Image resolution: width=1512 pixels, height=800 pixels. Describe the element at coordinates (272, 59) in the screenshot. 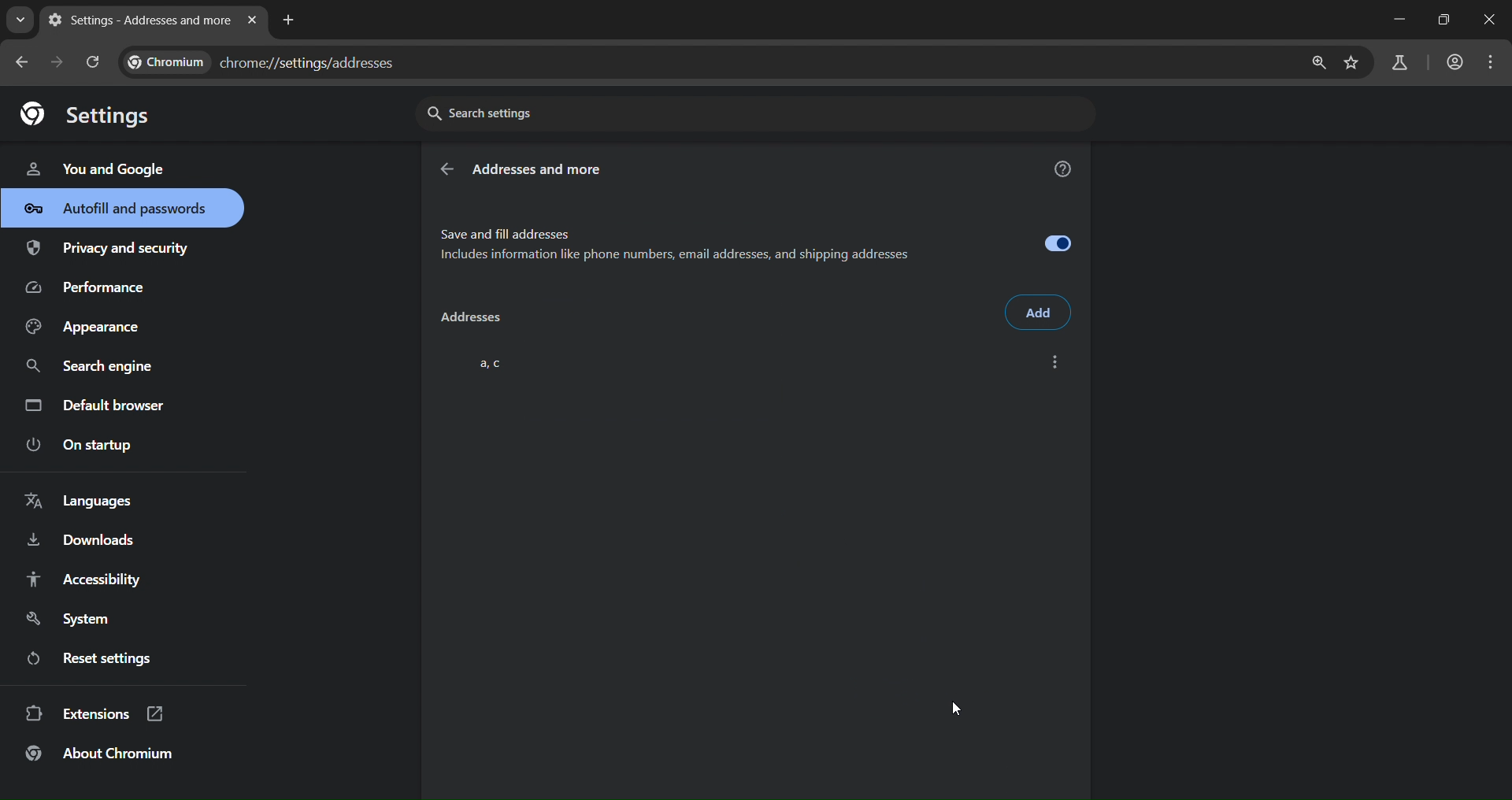

I see `chrome://settings/addresses` at that location.